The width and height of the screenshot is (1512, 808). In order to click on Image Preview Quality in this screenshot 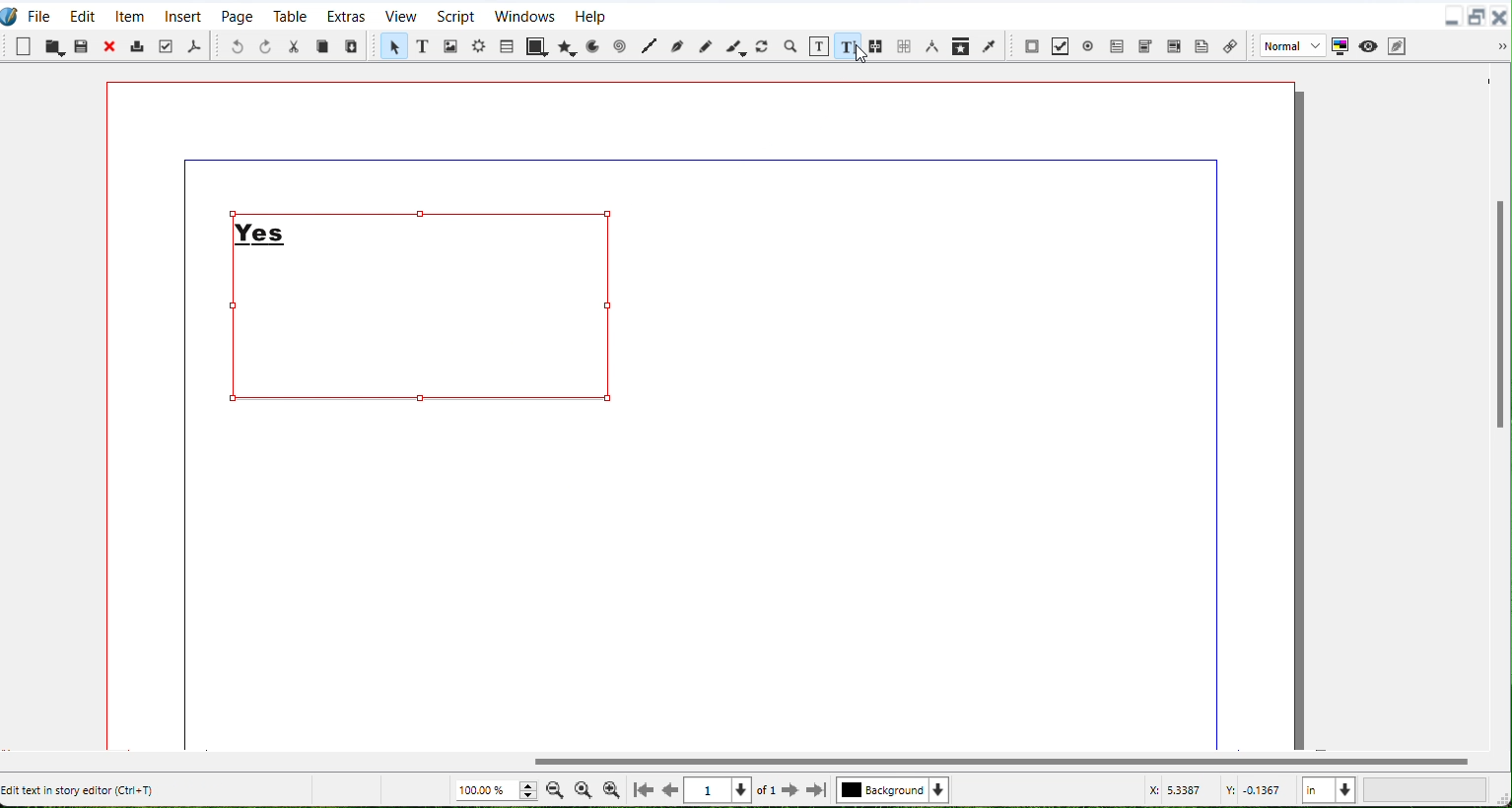, I will do `click(1290, 45)`.